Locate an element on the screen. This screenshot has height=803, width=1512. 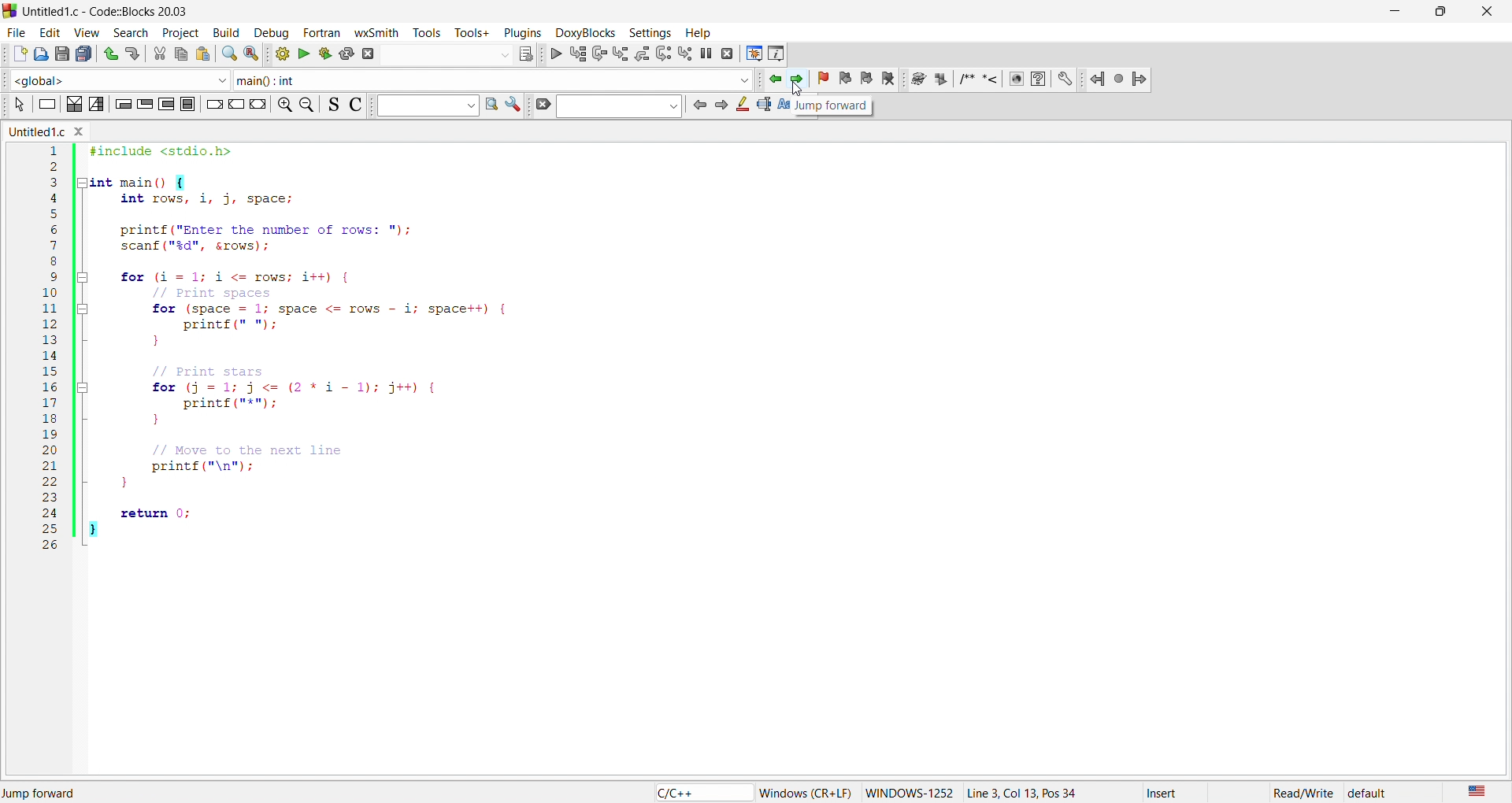
jump backward is located at coordinates (775, 77).